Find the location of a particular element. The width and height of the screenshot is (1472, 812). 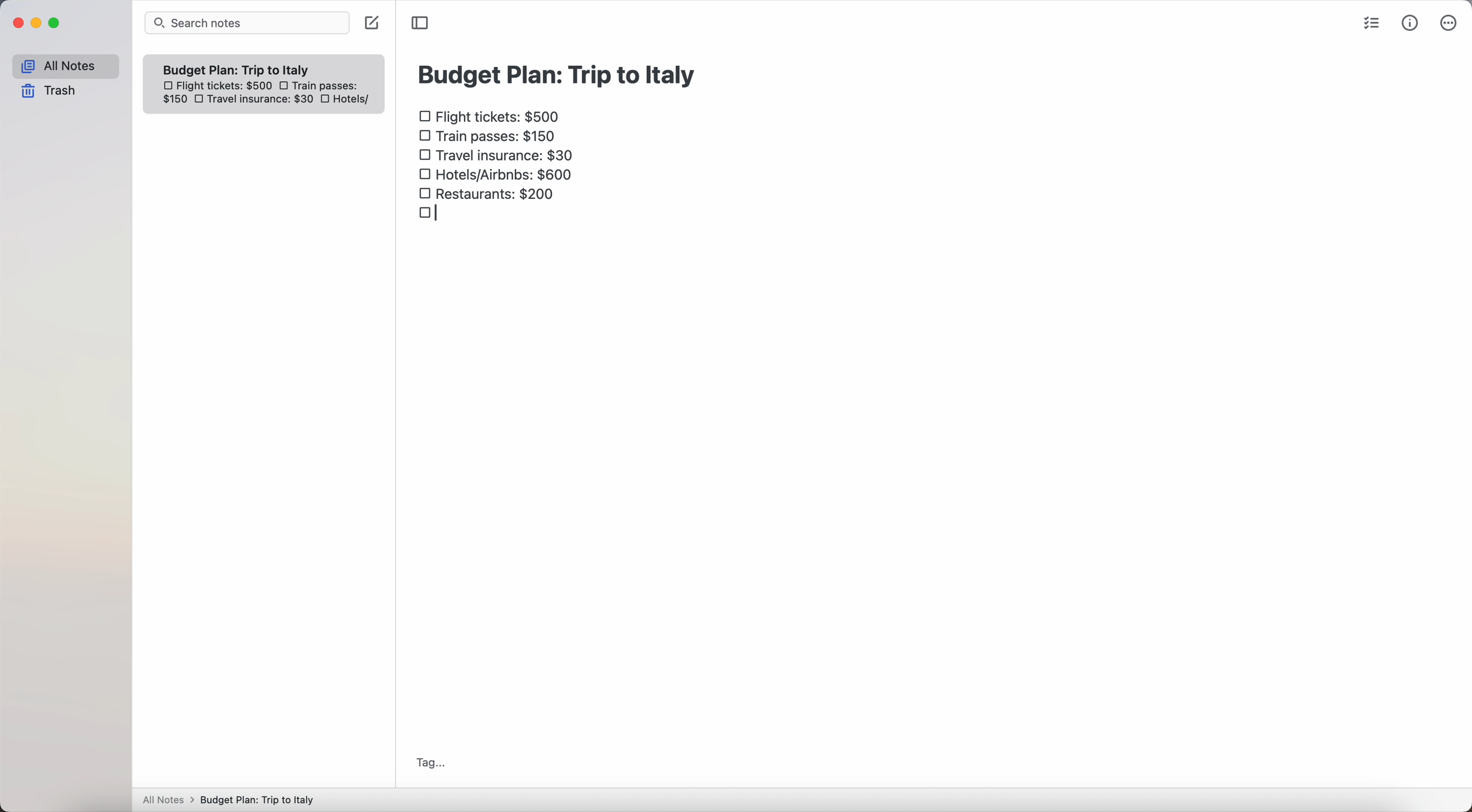

Budget plan trip to Italy note is located at coordinates (238, 69).